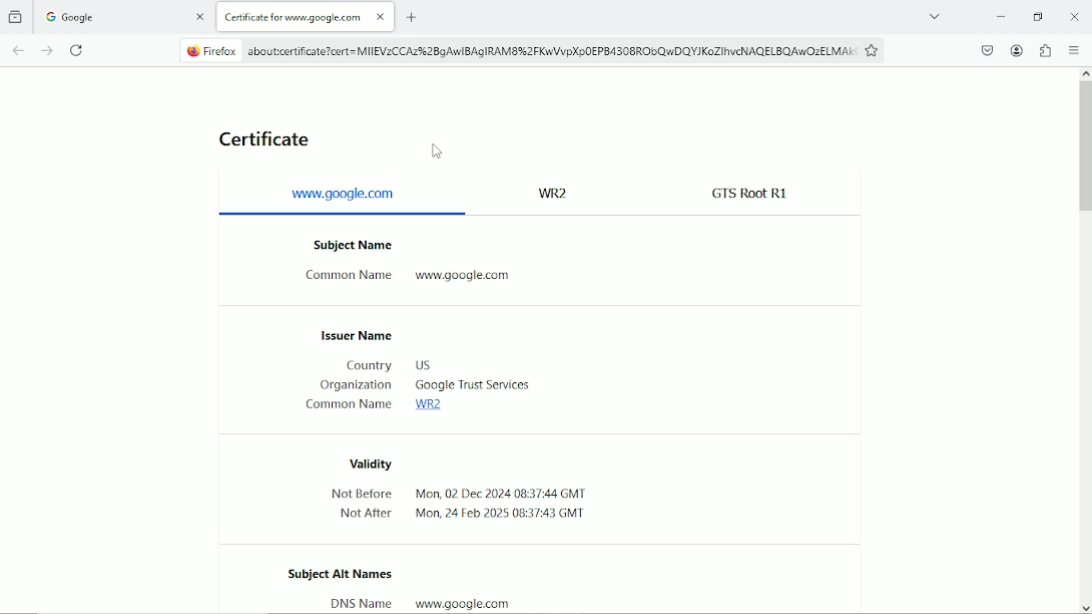 The width and height of the screenshot is (1092, 614). What do you see at coordinates (749, 191) in the screenshot?
I see `GTS Root R1` at bounding box center [749, 191].